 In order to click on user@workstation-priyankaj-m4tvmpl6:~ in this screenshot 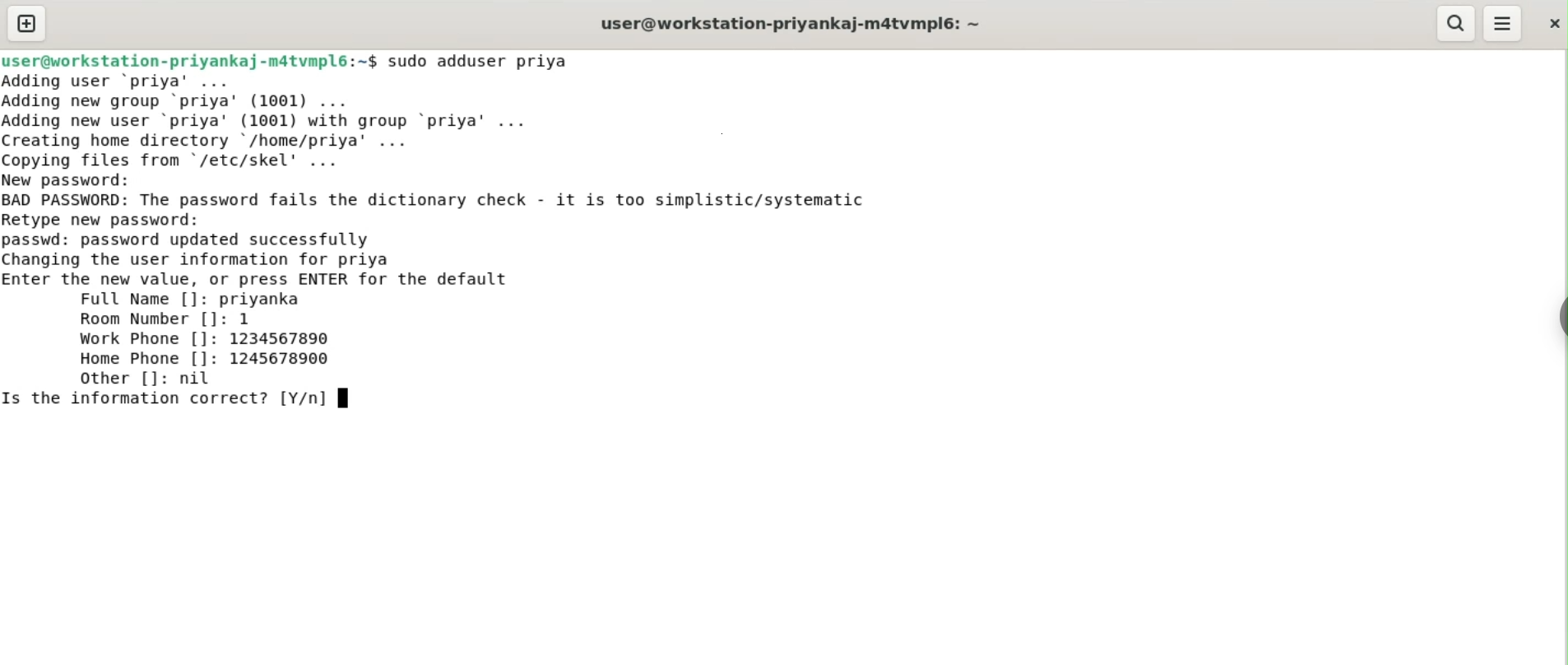, I will do `click(787, 23)`.